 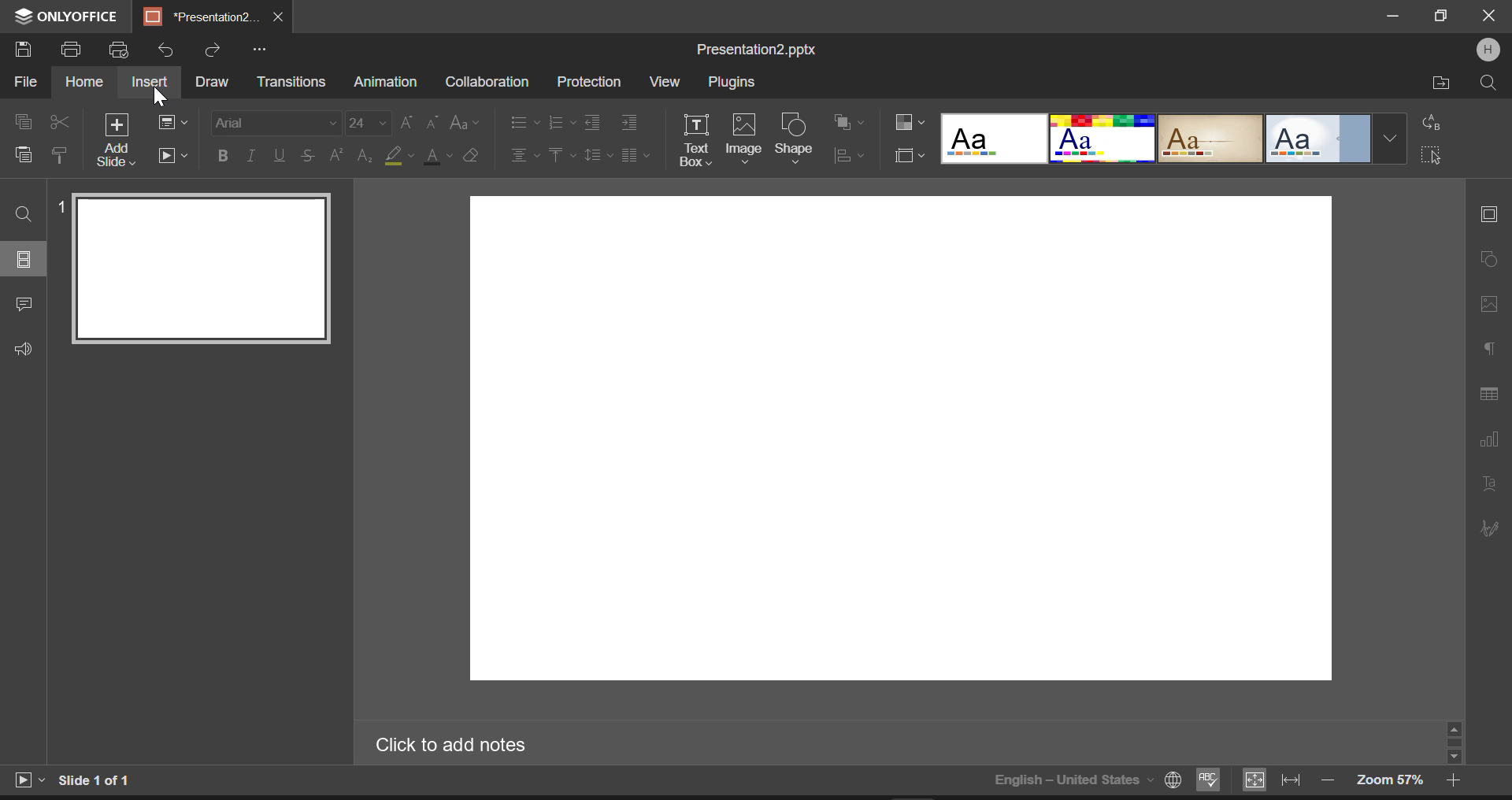 I want to click on Horizontal Align, so click(x=523, y=153).